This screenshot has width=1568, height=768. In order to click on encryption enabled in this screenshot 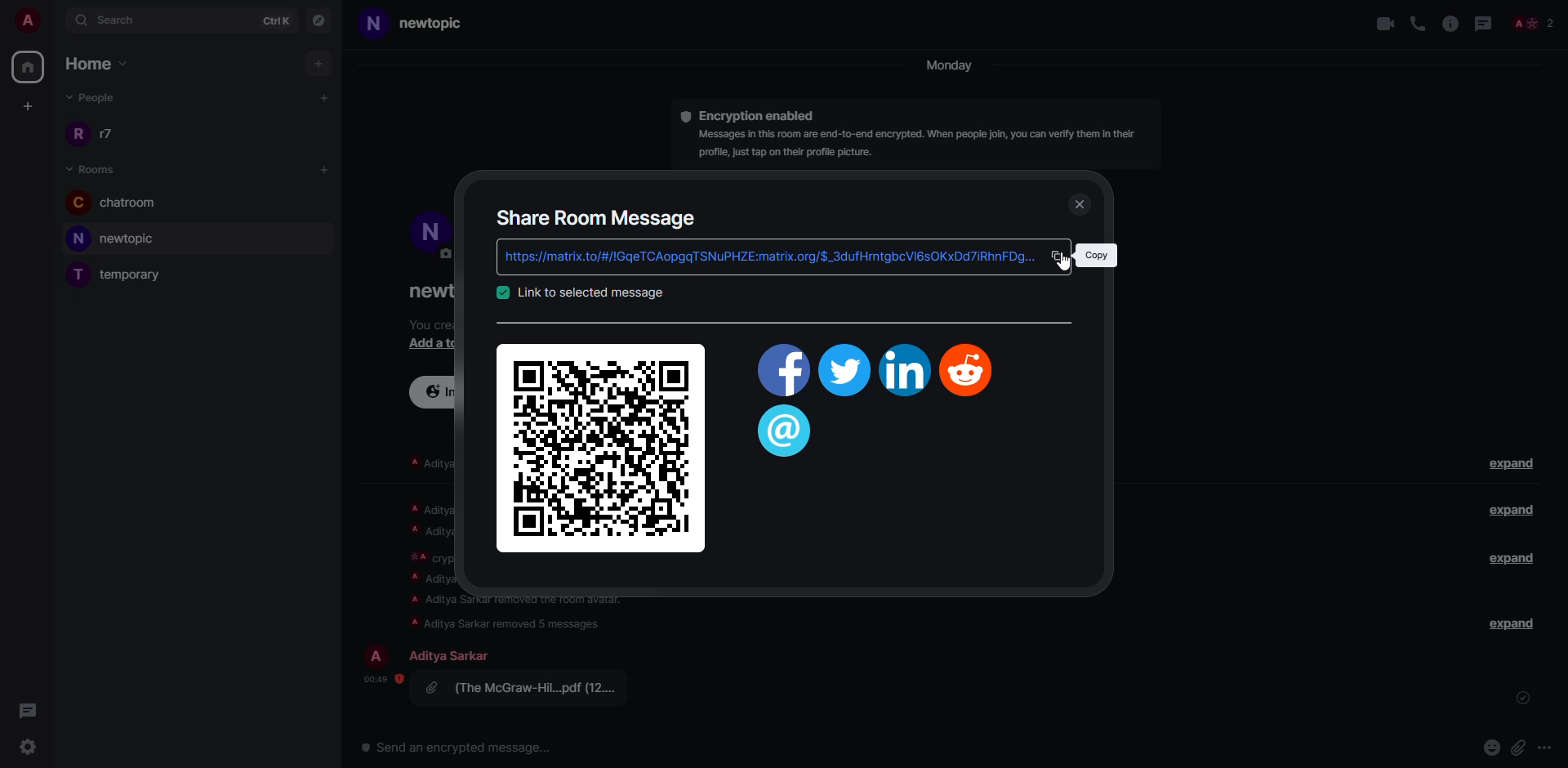, I will do `click(761, 114)`.